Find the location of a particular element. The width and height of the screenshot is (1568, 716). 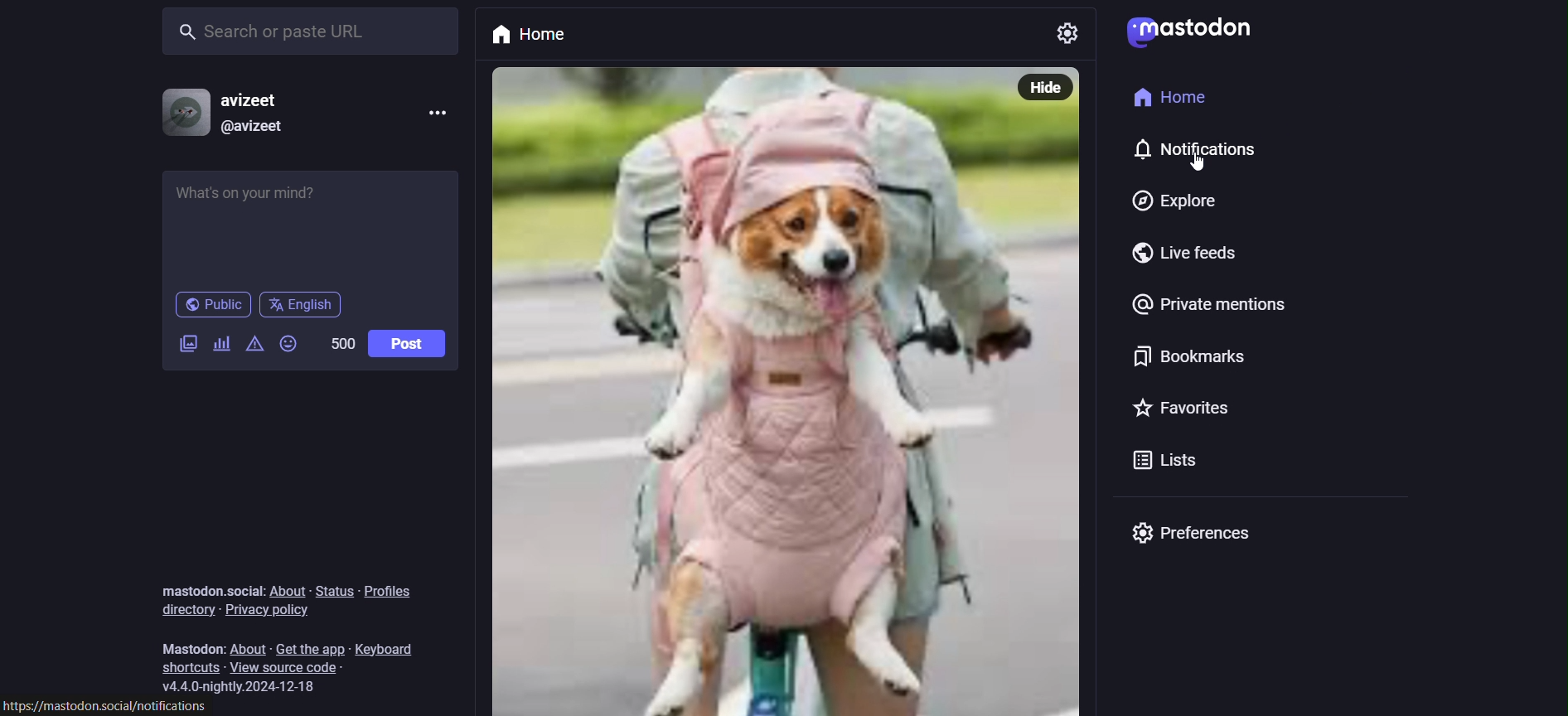

status is located at coordinates (332, 591).